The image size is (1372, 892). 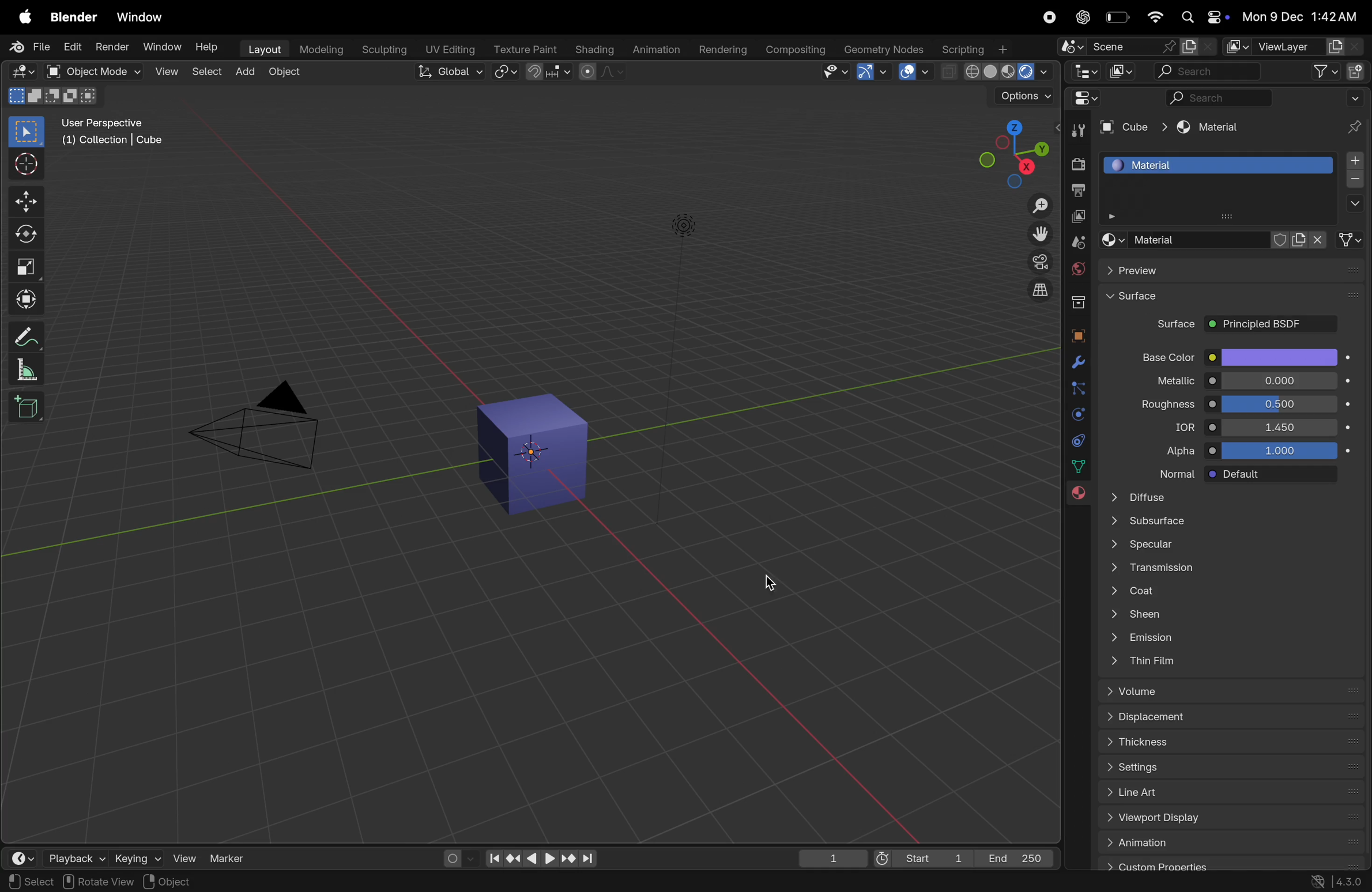 I want to click on Diffuse, so click(x=1226, y=497).